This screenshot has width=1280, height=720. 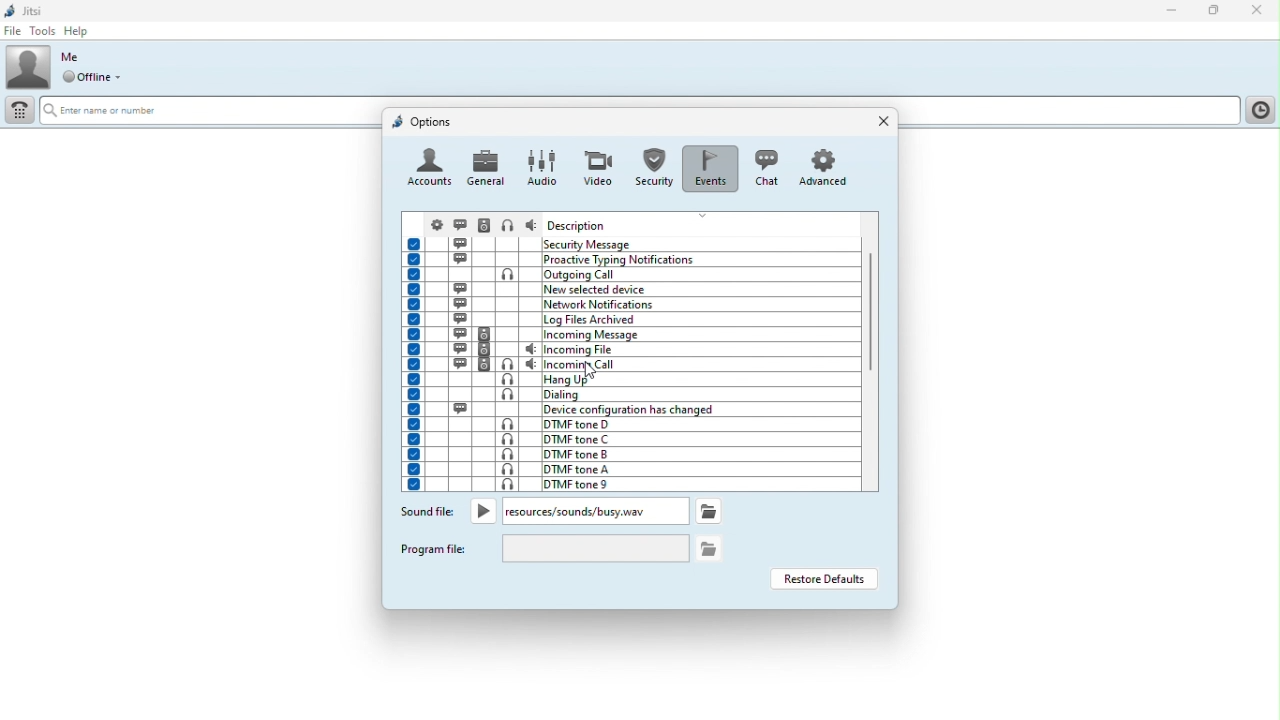 What do you see at coordinates (827, 167) in the screenshot?
I see `Advanced` at bounding box center [827, 167].